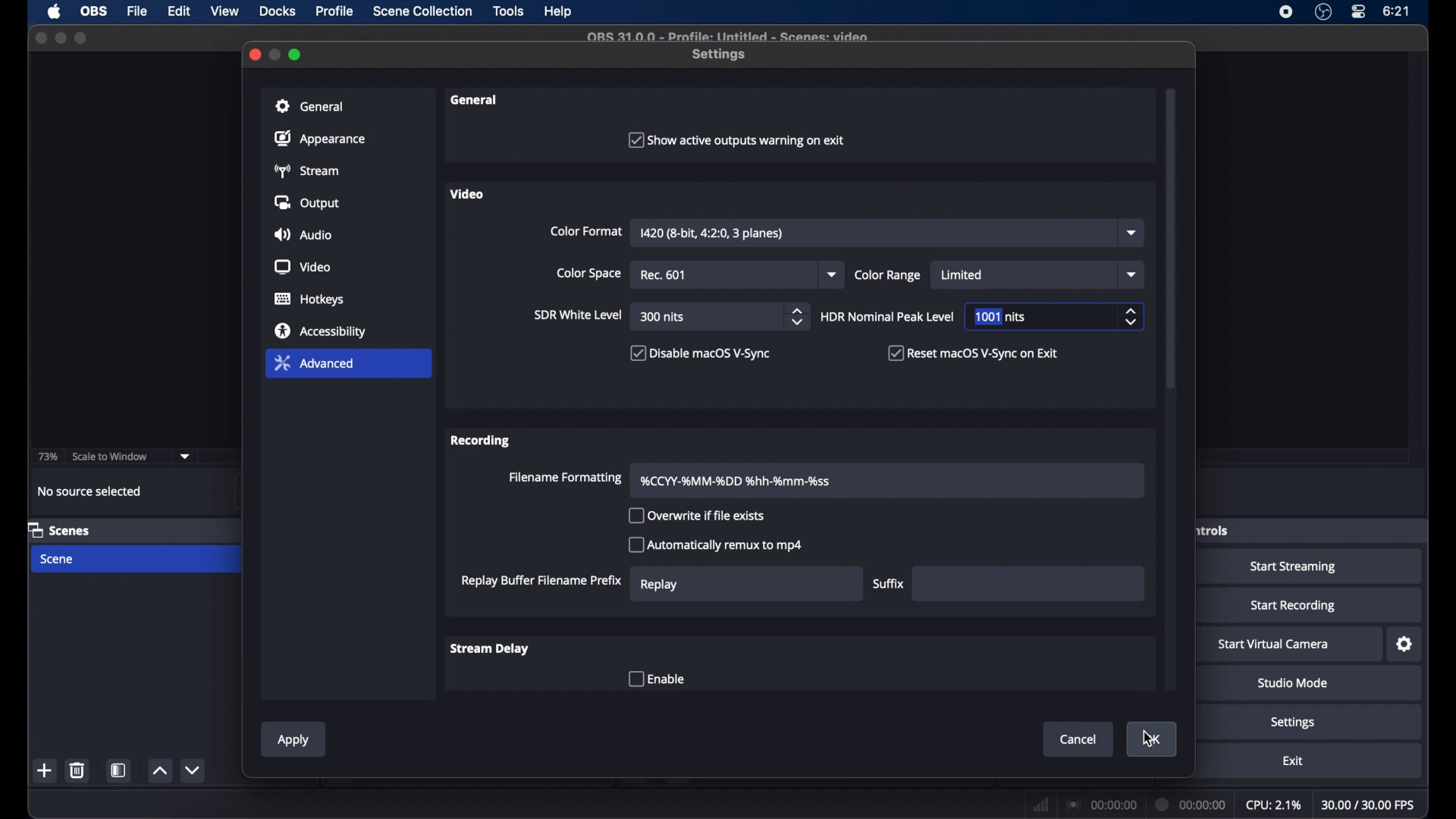 The image size is (1456, 819). What do you see at coordinates (1038, 804) in the screenshot?
I see `network` at bounding box center [1038, 804].